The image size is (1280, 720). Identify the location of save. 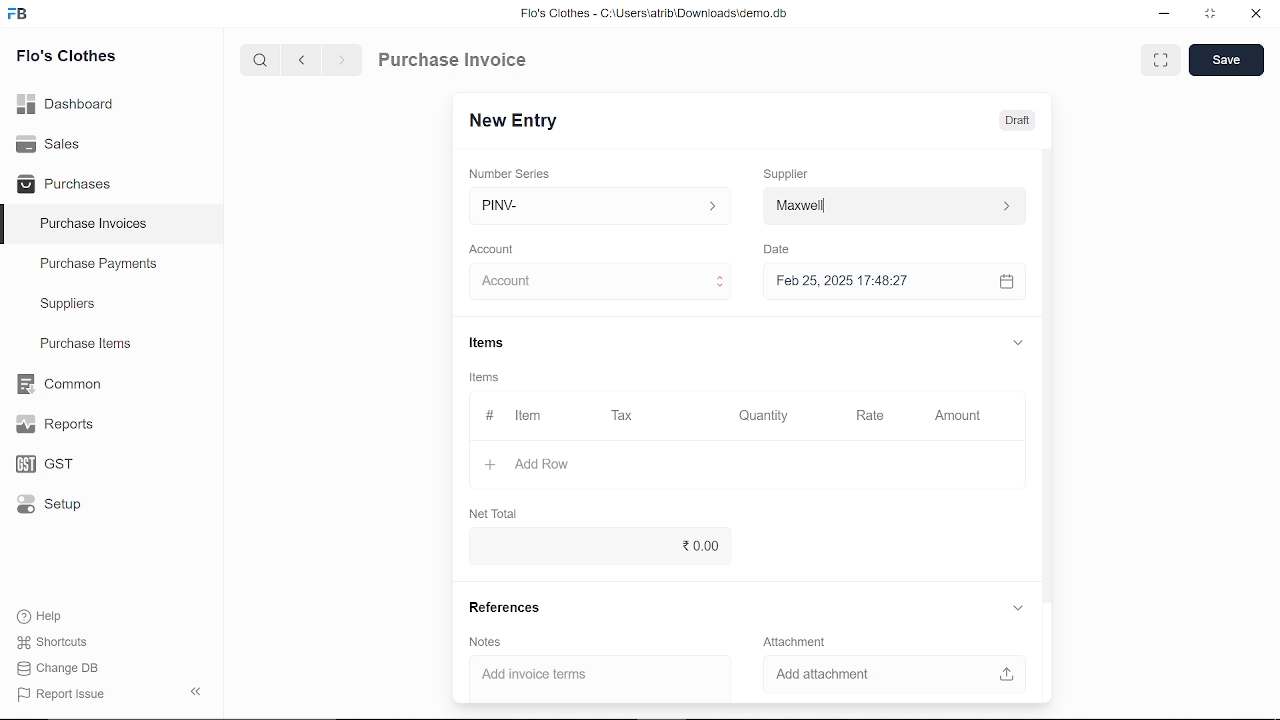
(1226, 61).